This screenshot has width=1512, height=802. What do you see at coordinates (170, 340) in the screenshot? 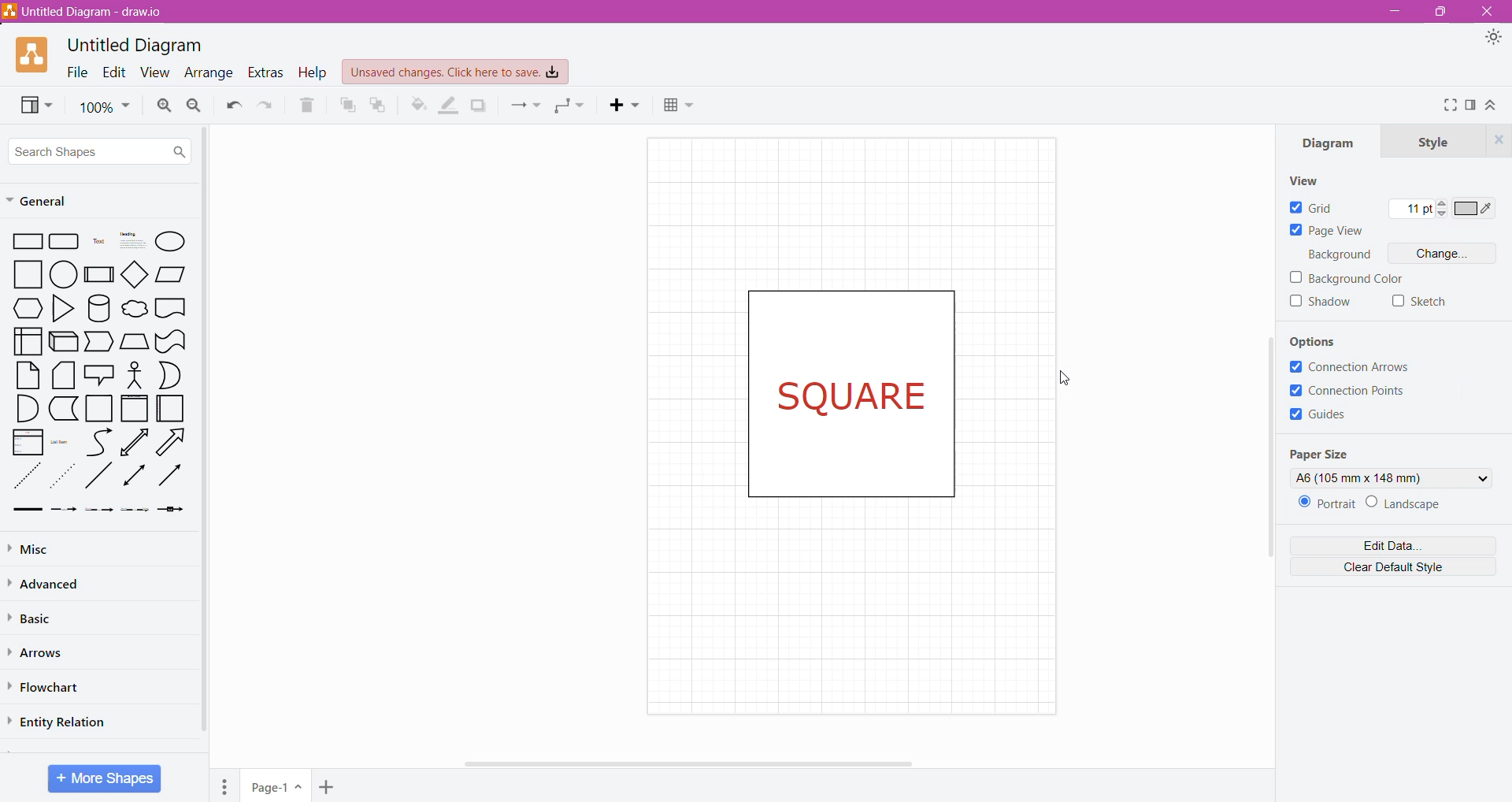
I see `Curved Rectangle` at bounding box center [170, 340].